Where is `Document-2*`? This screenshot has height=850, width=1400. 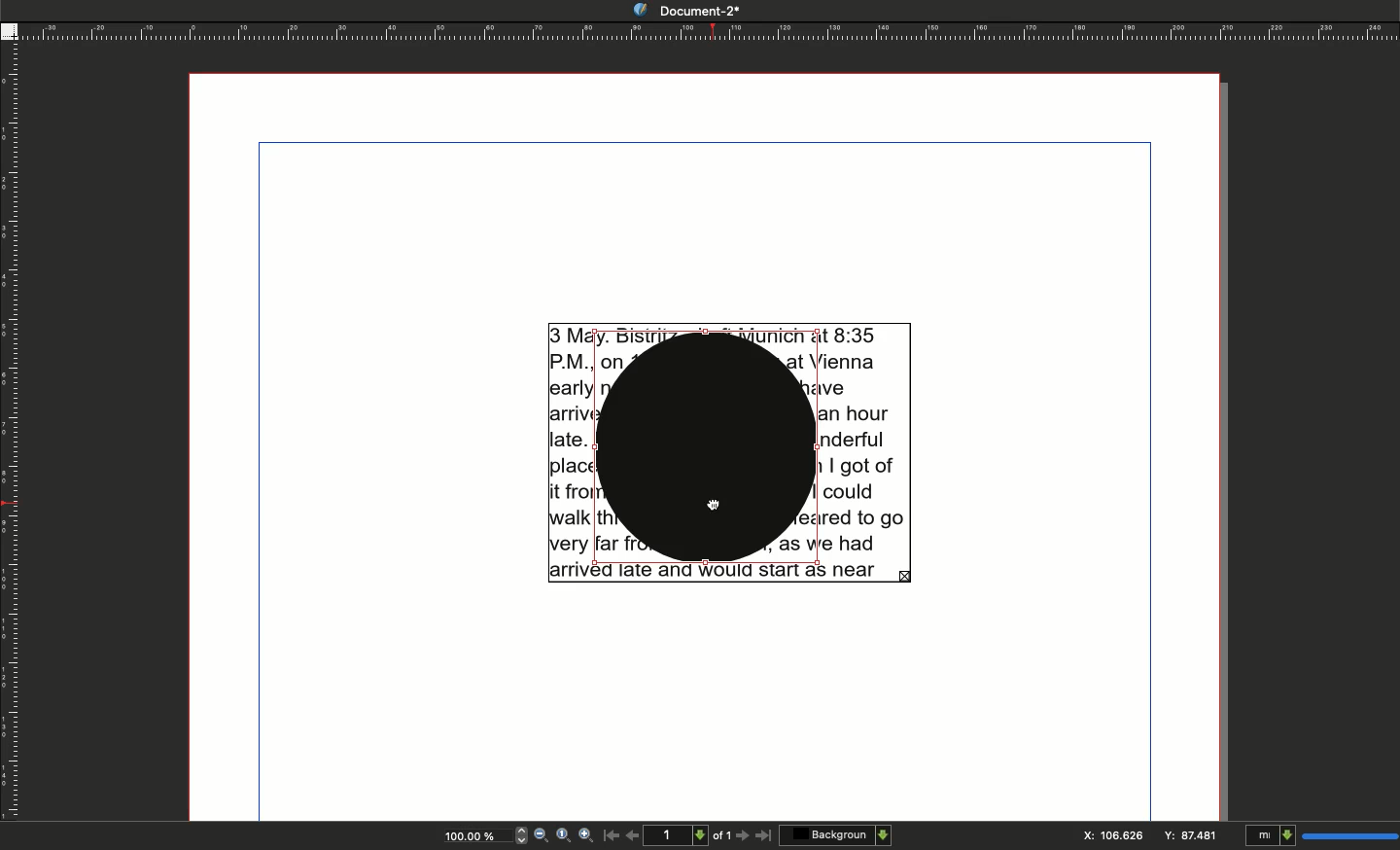 Document-2* is located at coordinates (692, 11).